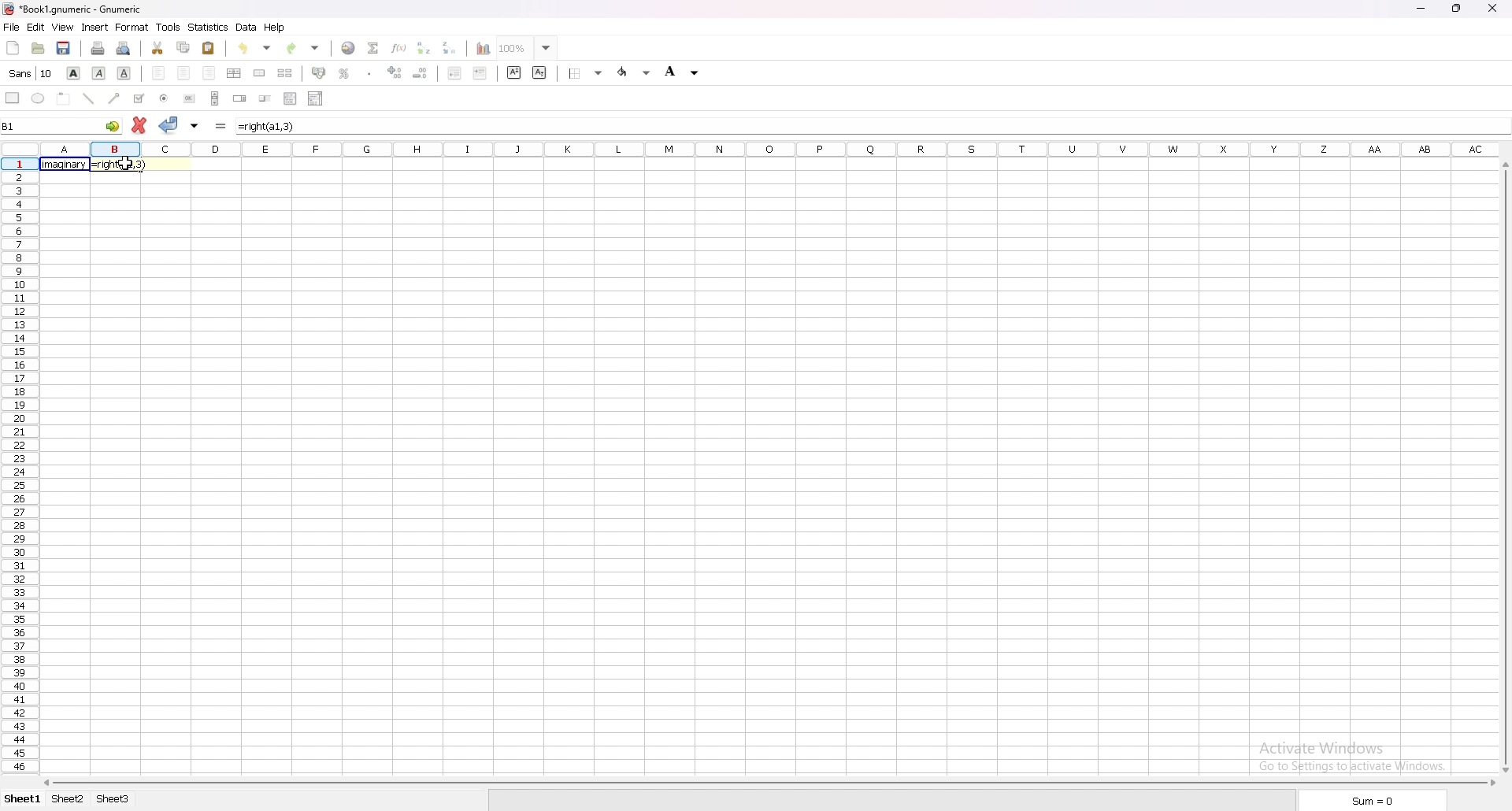 The width and height of the screenshot is (1512, 811). I want to click on increase decimals, so click(395, 72).